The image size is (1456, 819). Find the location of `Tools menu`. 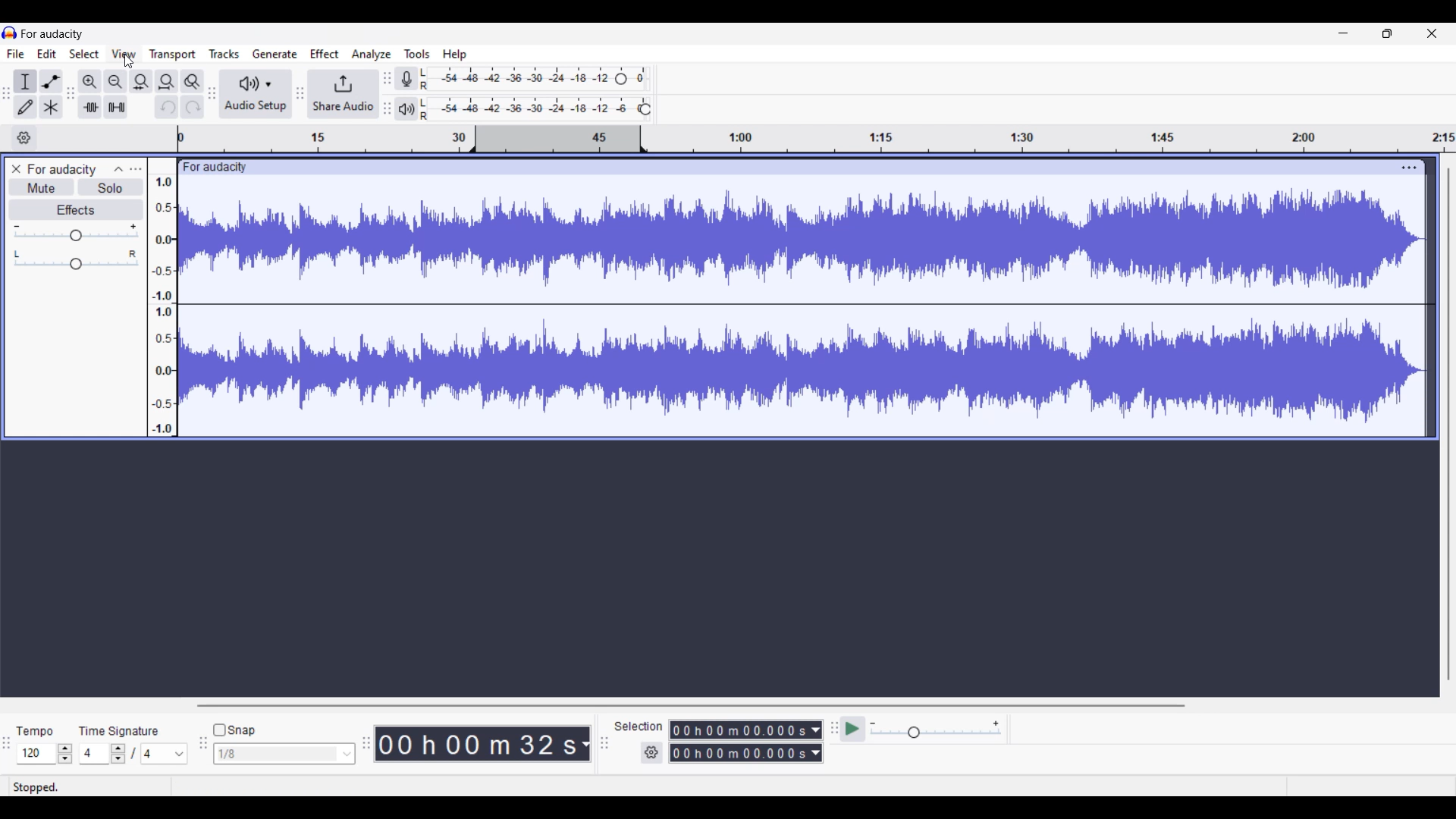

Tools menu is located at coordinates (418, 54).